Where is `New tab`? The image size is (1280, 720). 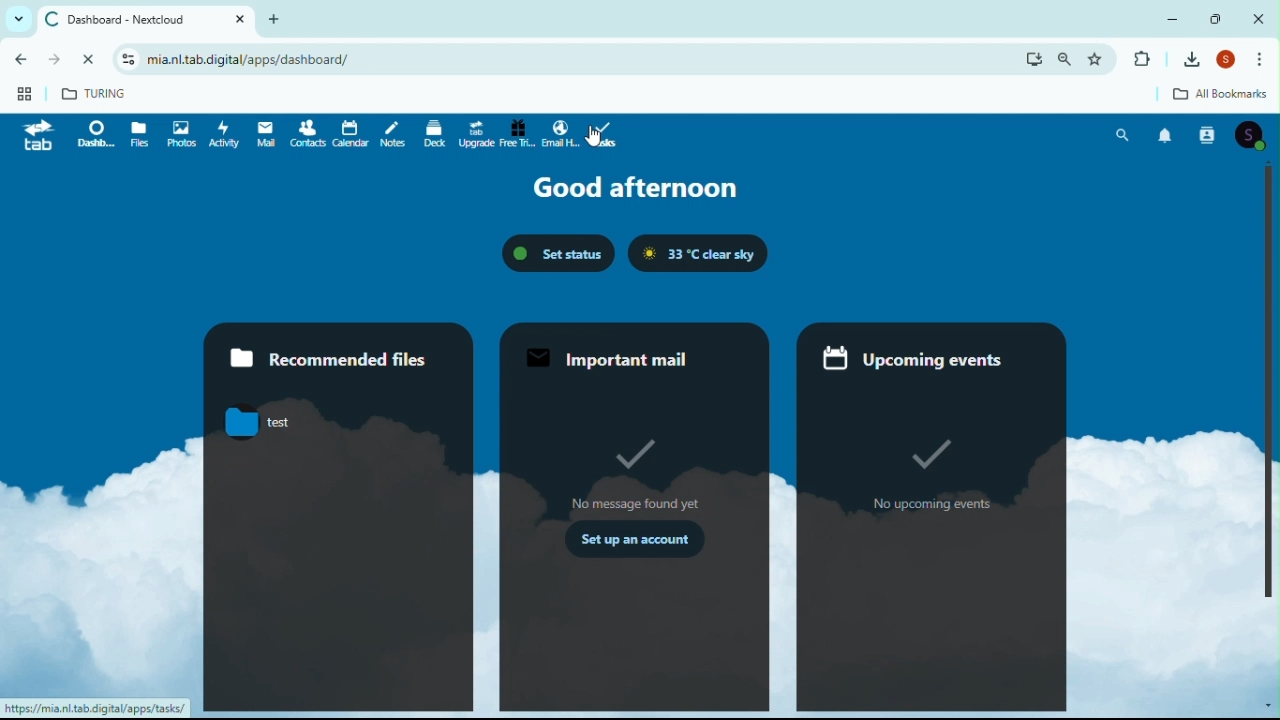
New tab is located at coordinates (275, 19).